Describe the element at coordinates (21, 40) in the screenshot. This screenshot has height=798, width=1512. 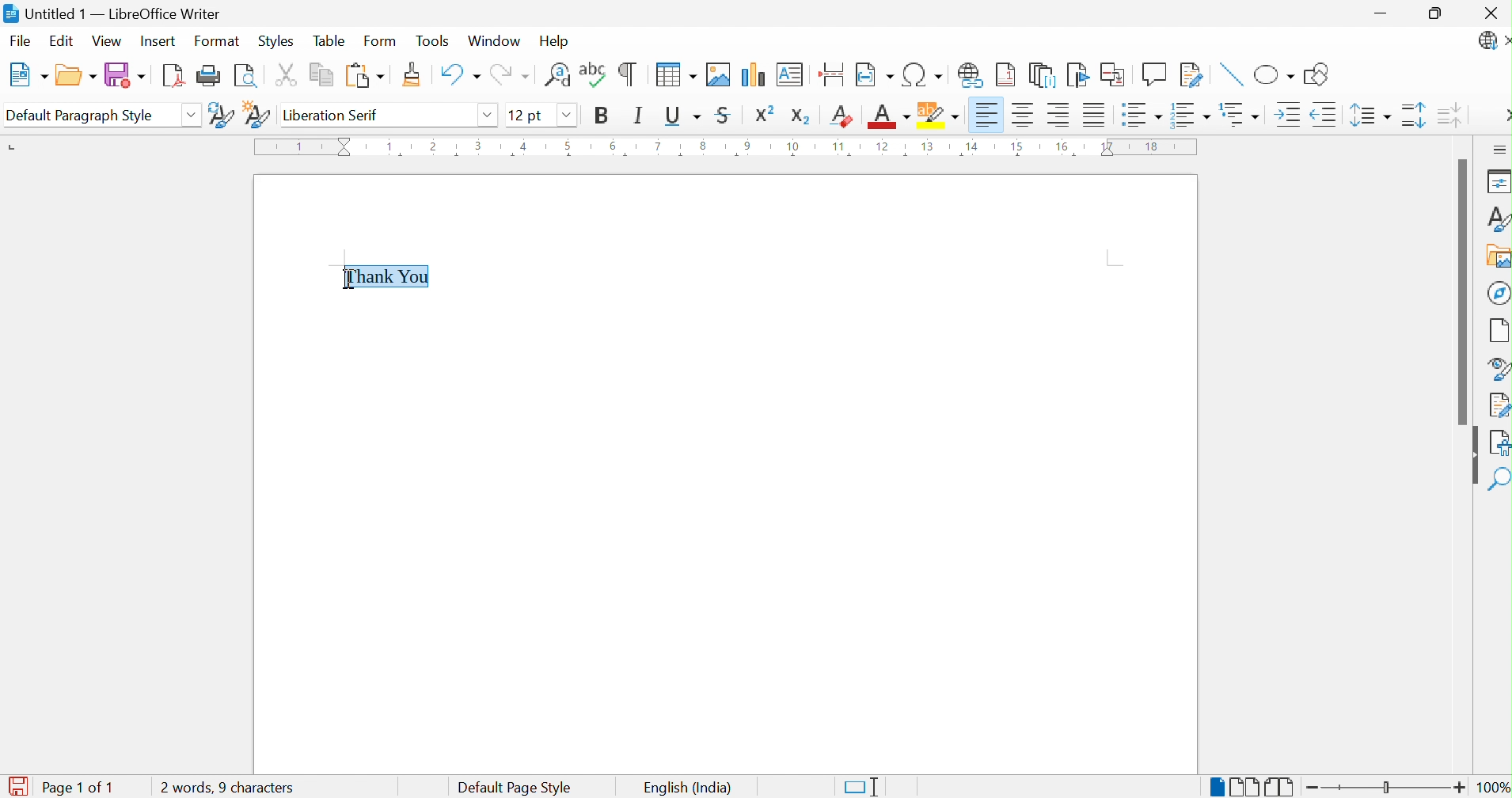
I see `File` at that location.